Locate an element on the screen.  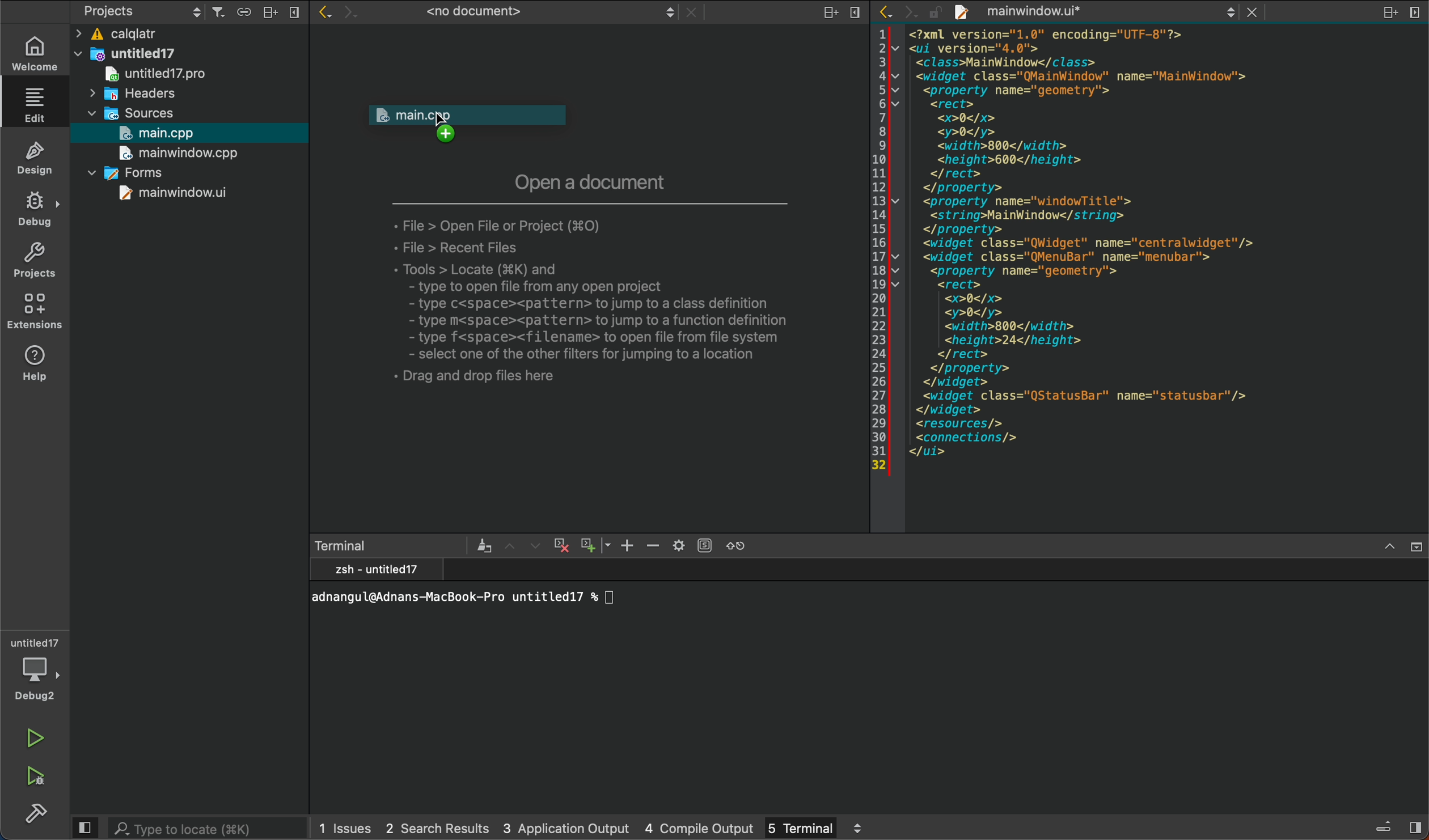
cursor is located at coordinates (442, 122).